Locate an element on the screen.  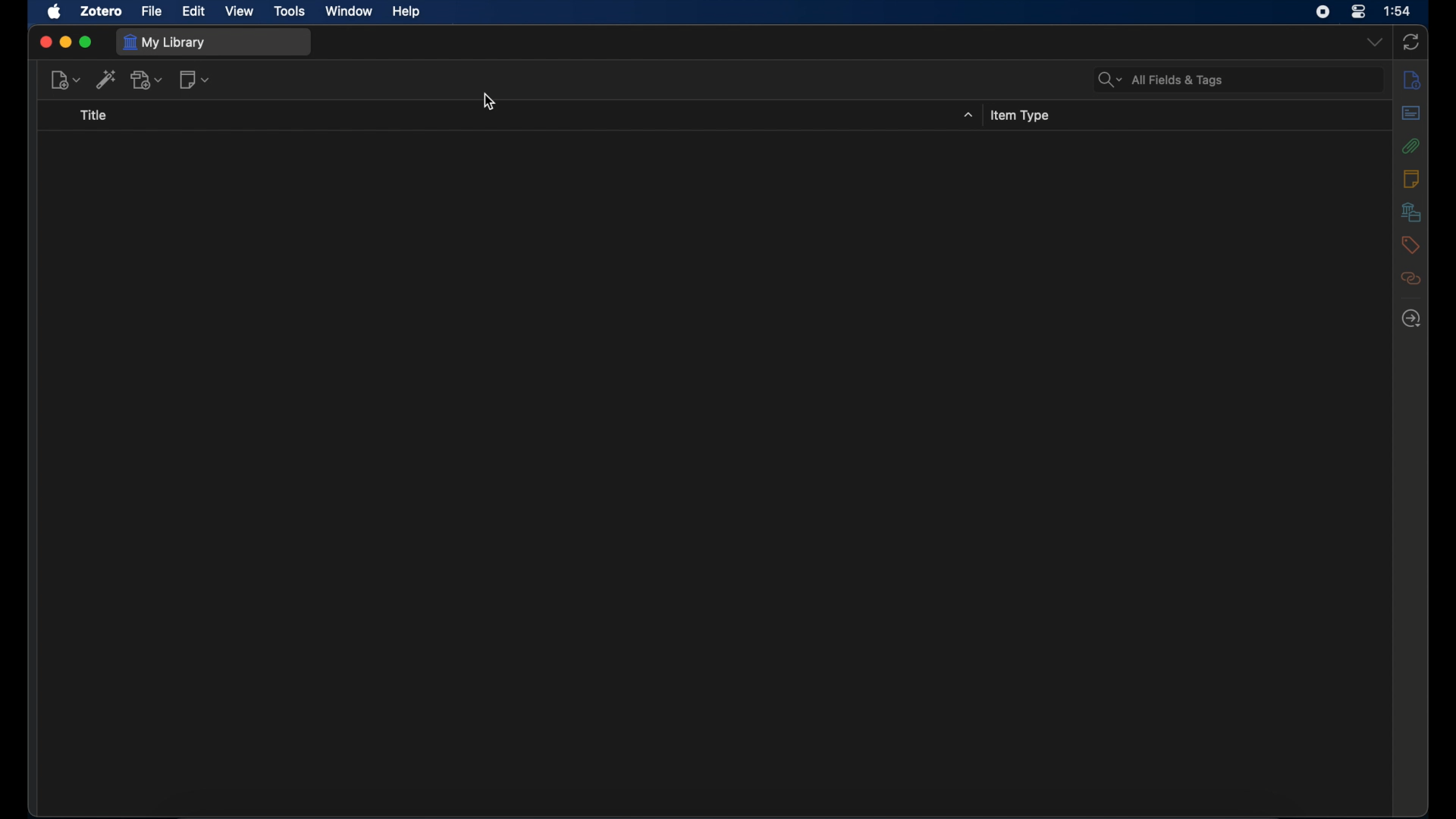
dropdown is located at coordinates (966, 115).